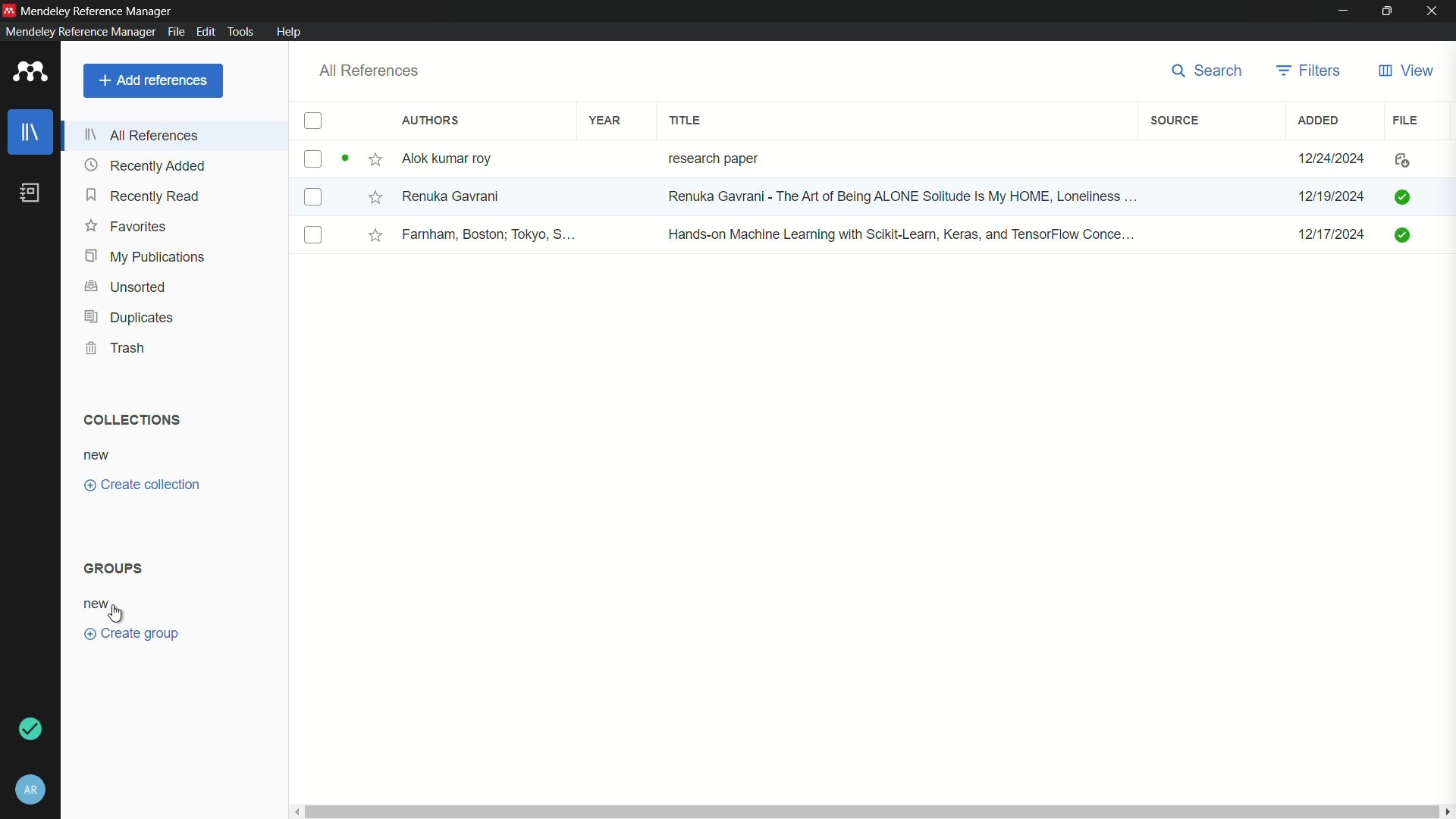  What do you see at coordinates (135, 635) in the screenshot?
I see `create group` at bounding box center [135, 635].